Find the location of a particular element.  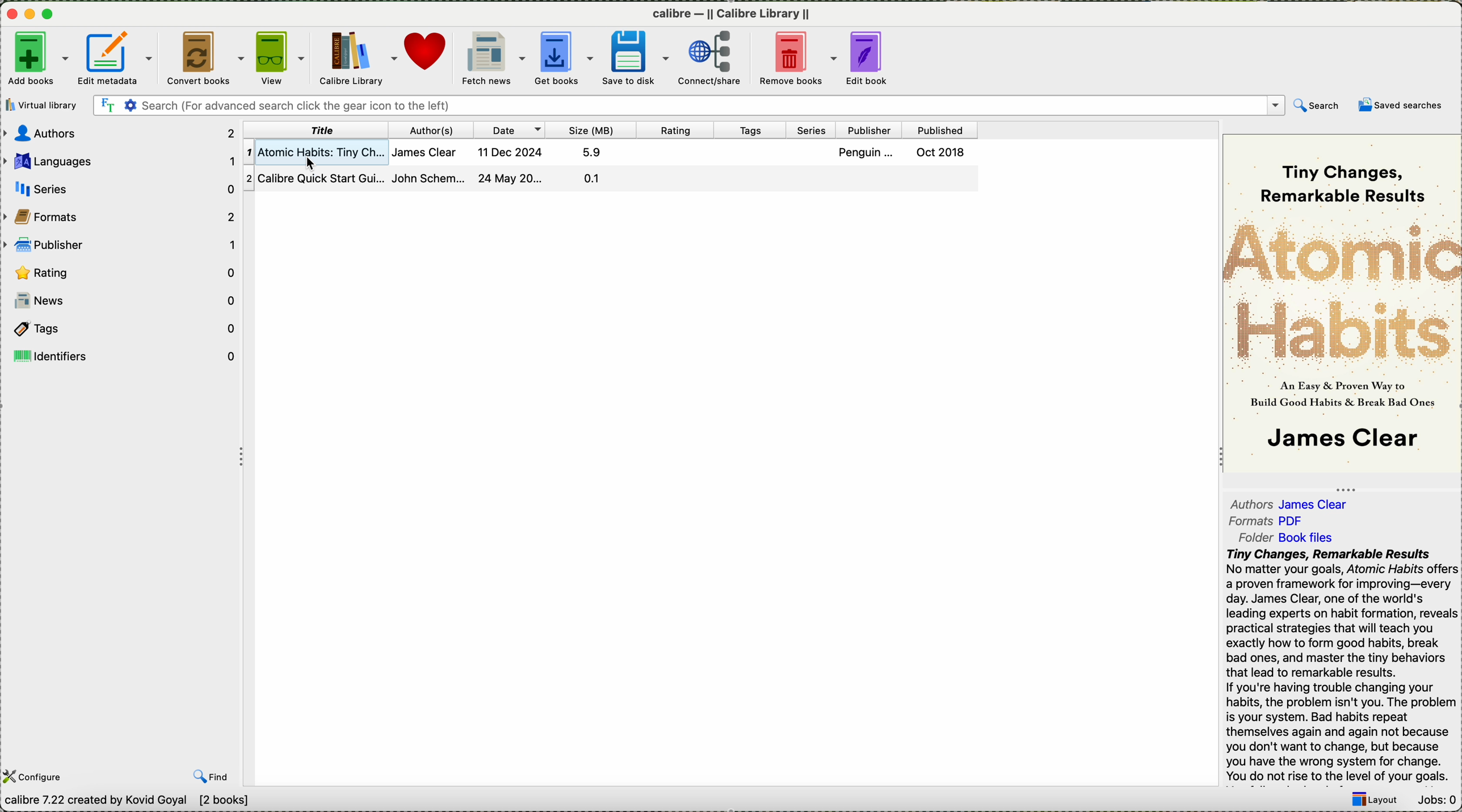

authors is located at coordinates (1293, 502).